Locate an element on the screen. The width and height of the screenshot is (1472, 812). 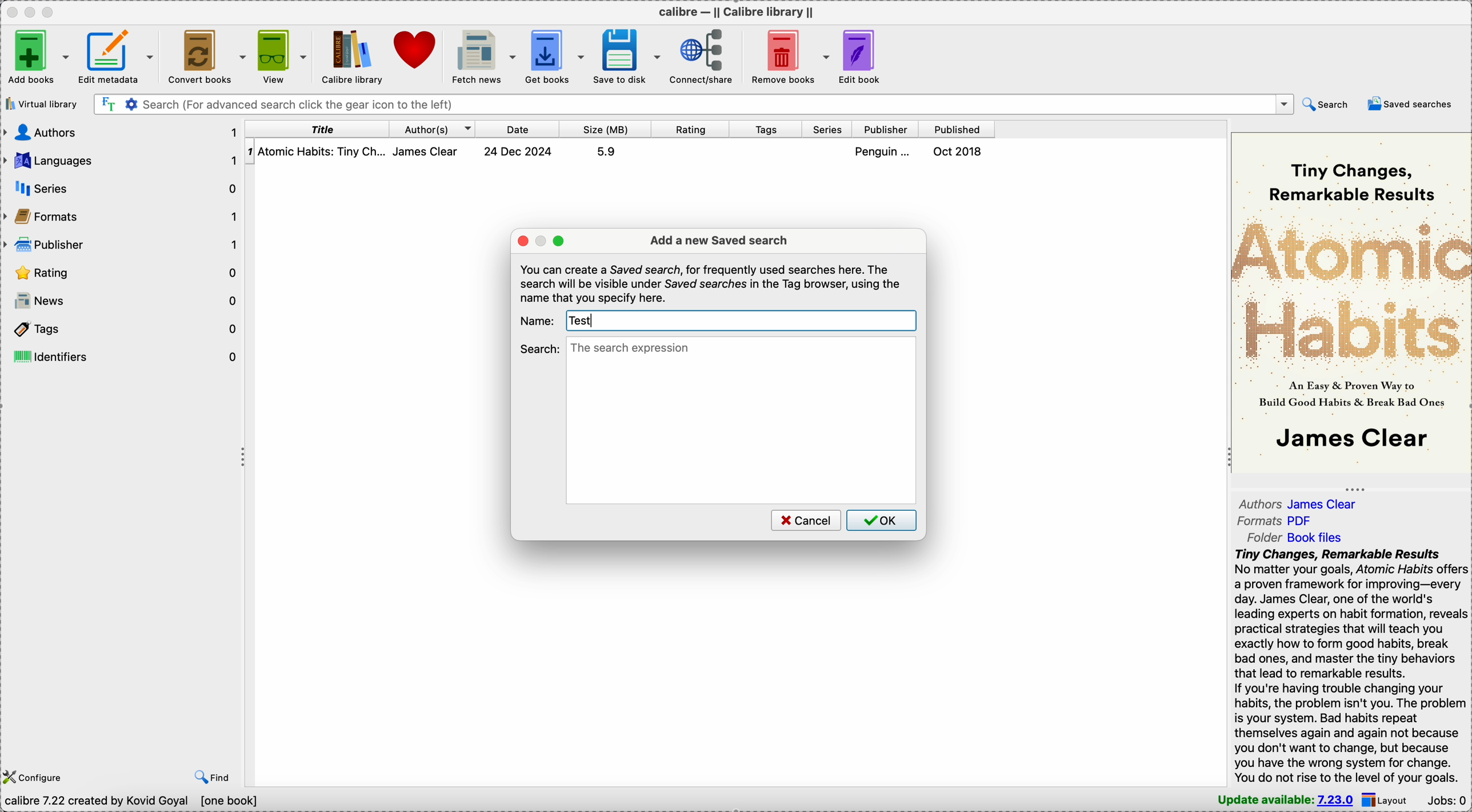
minimize is located at coordinates (542, 241).